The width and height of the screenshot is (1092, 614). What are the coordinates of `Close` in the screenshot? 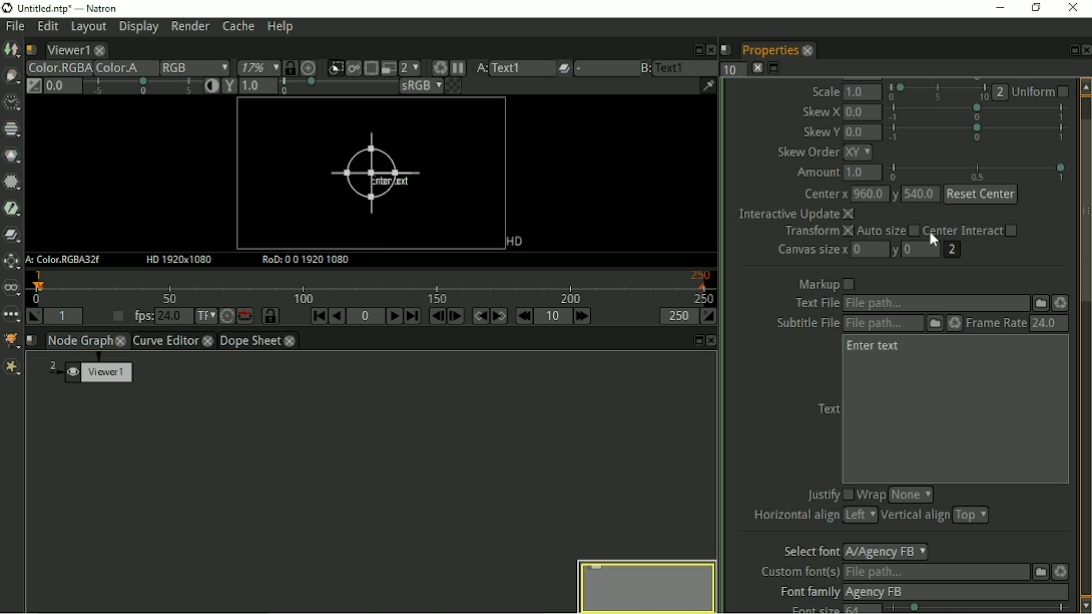 It's located at (1085, 50).